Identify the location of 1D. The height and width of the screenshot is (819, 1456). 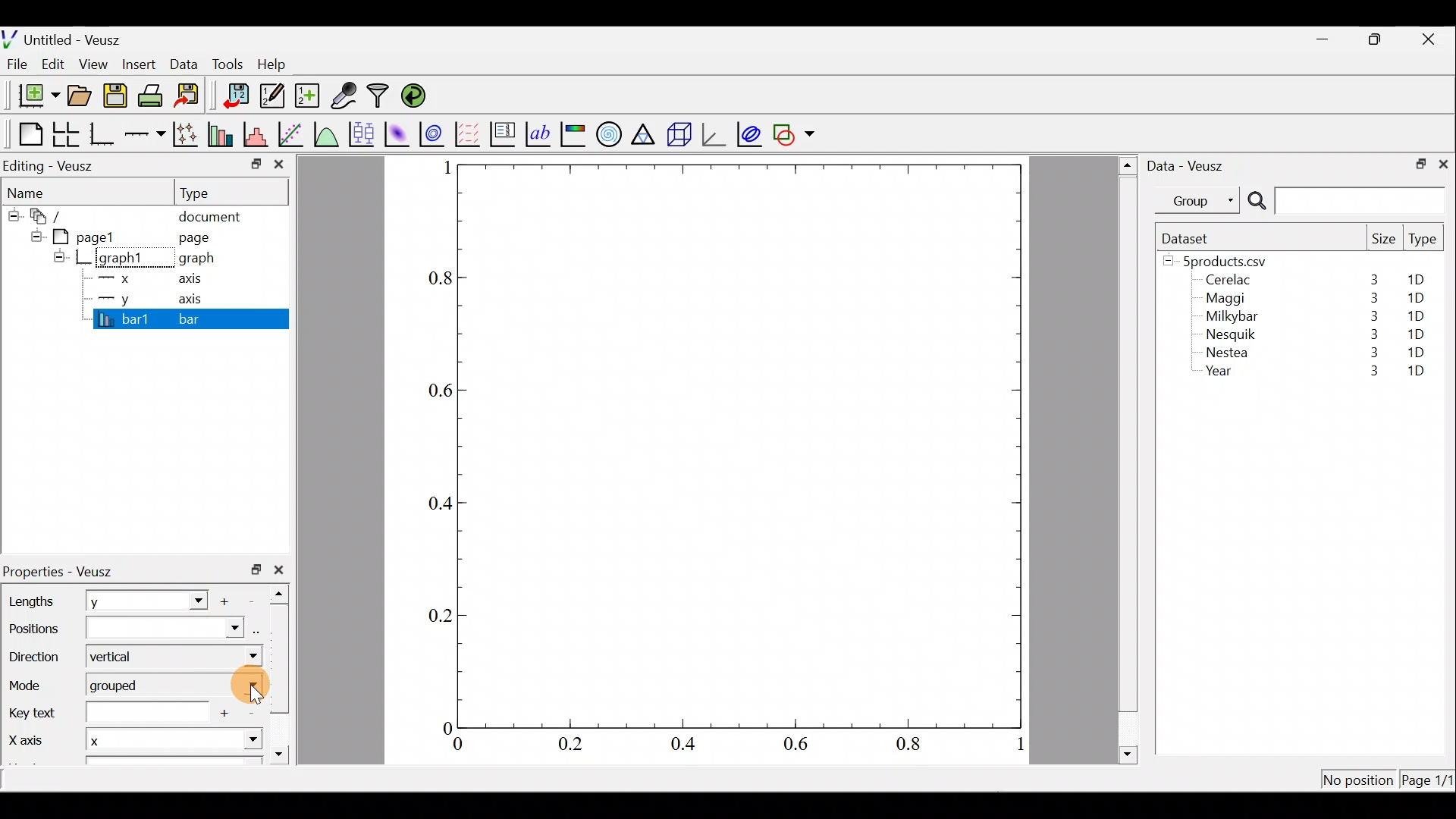
(1416, 352).